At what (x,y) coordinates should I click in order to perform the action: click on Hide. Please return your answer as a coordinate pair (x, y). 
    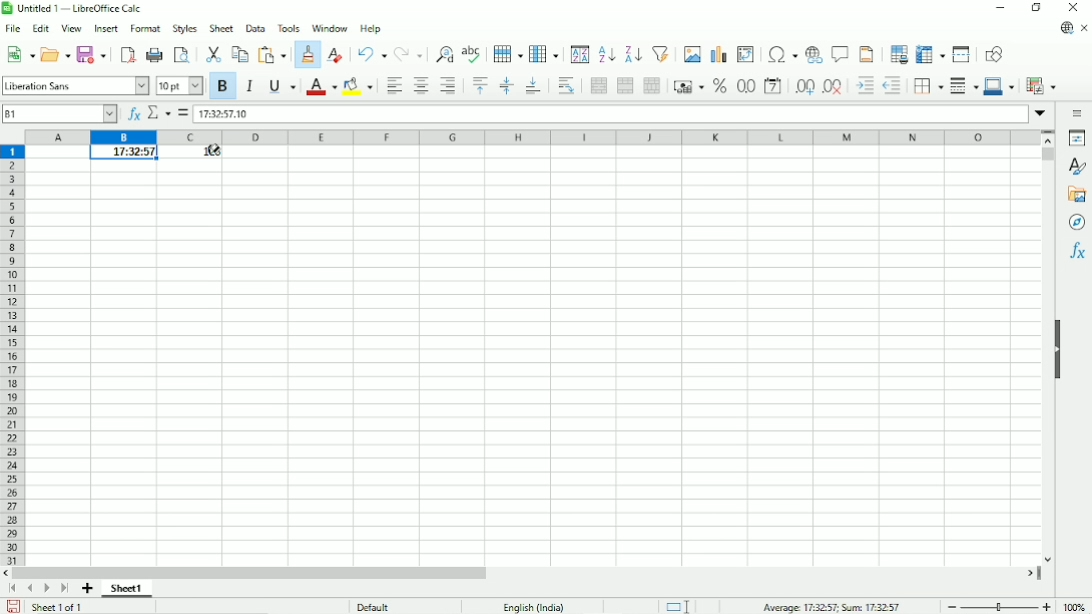
    Looking at the image, I should click on (1060, 354).